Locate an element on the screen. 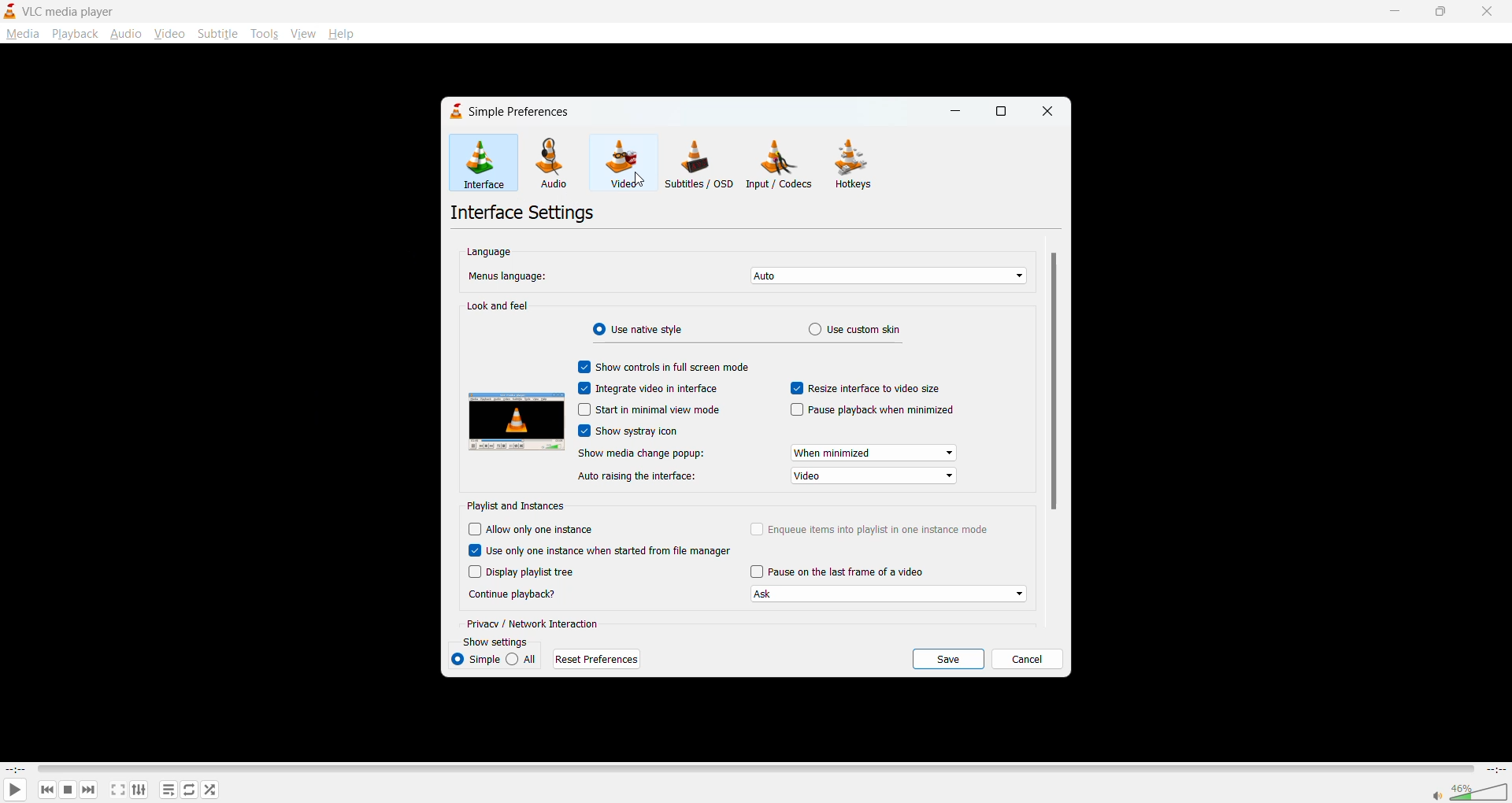  input/codecs is located at coordinates (783, 166).